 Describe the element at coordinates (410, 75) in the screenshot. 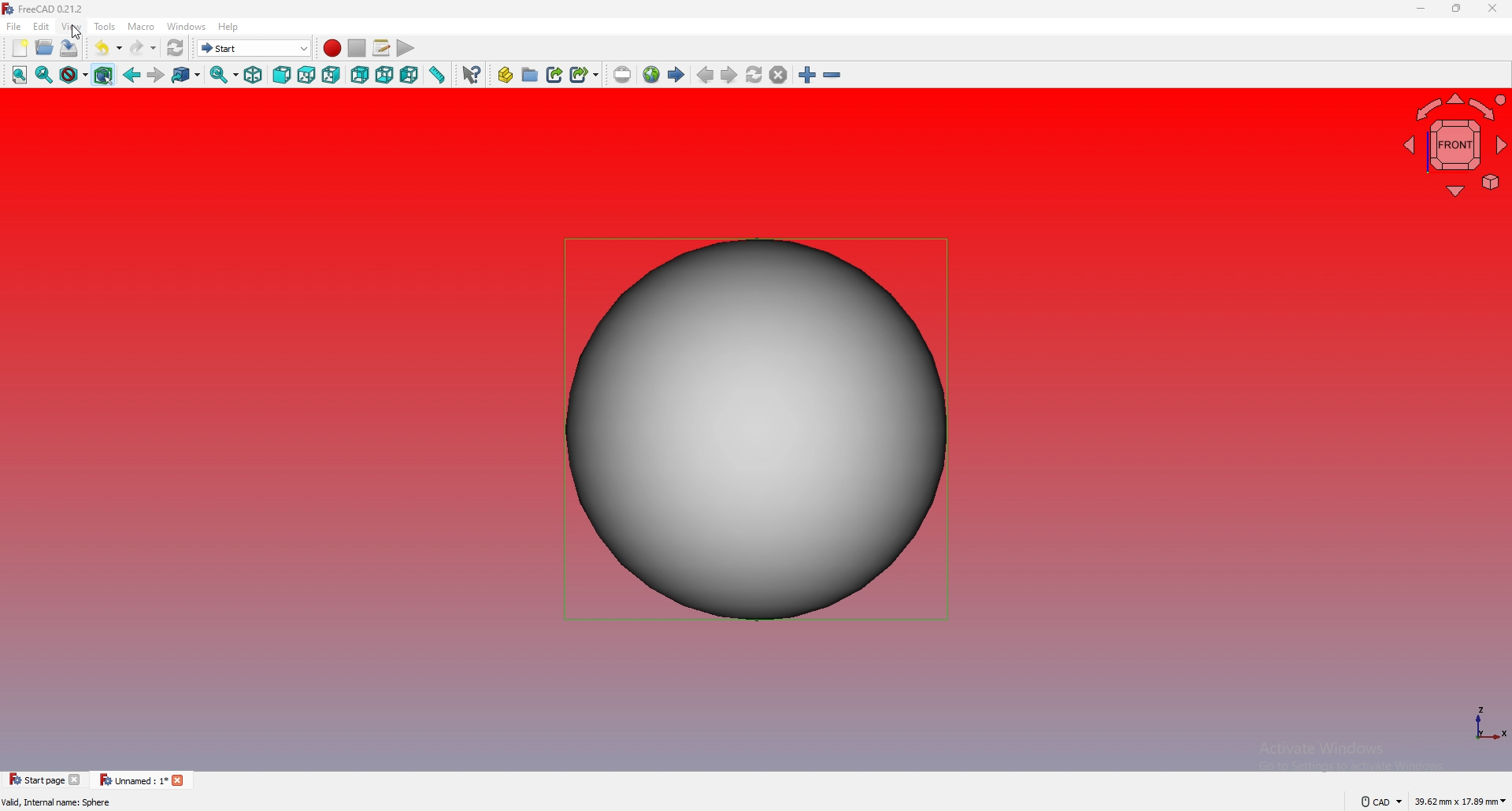

I see `left` at that location.